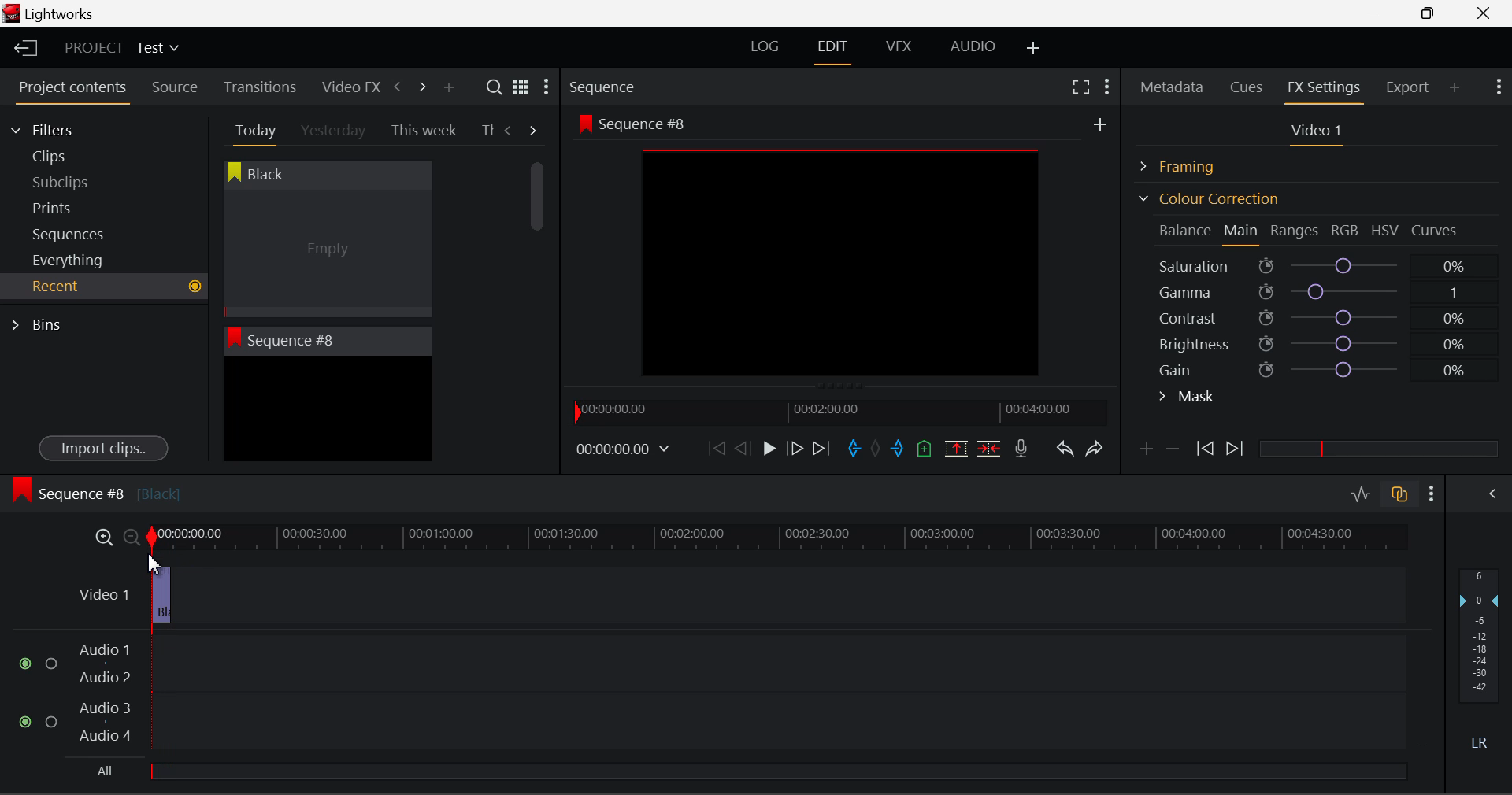 This screenshot has height=795, width=1512. I want to click on VFX Layout, so click(902, 48).